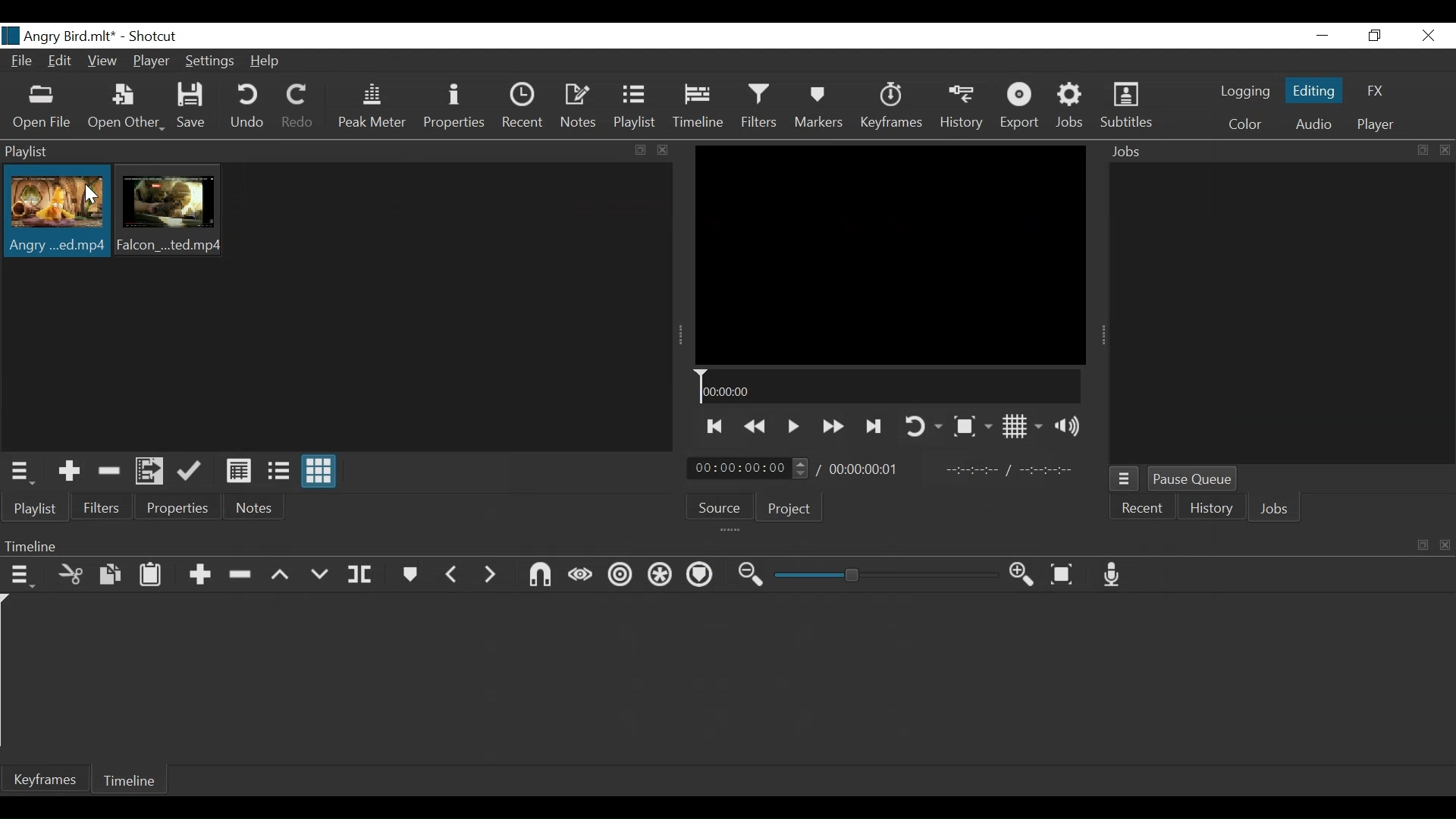 Image resolution: width=1456 pixels, height=819 pixels. I want to click on Cursor, so click(93, 196).